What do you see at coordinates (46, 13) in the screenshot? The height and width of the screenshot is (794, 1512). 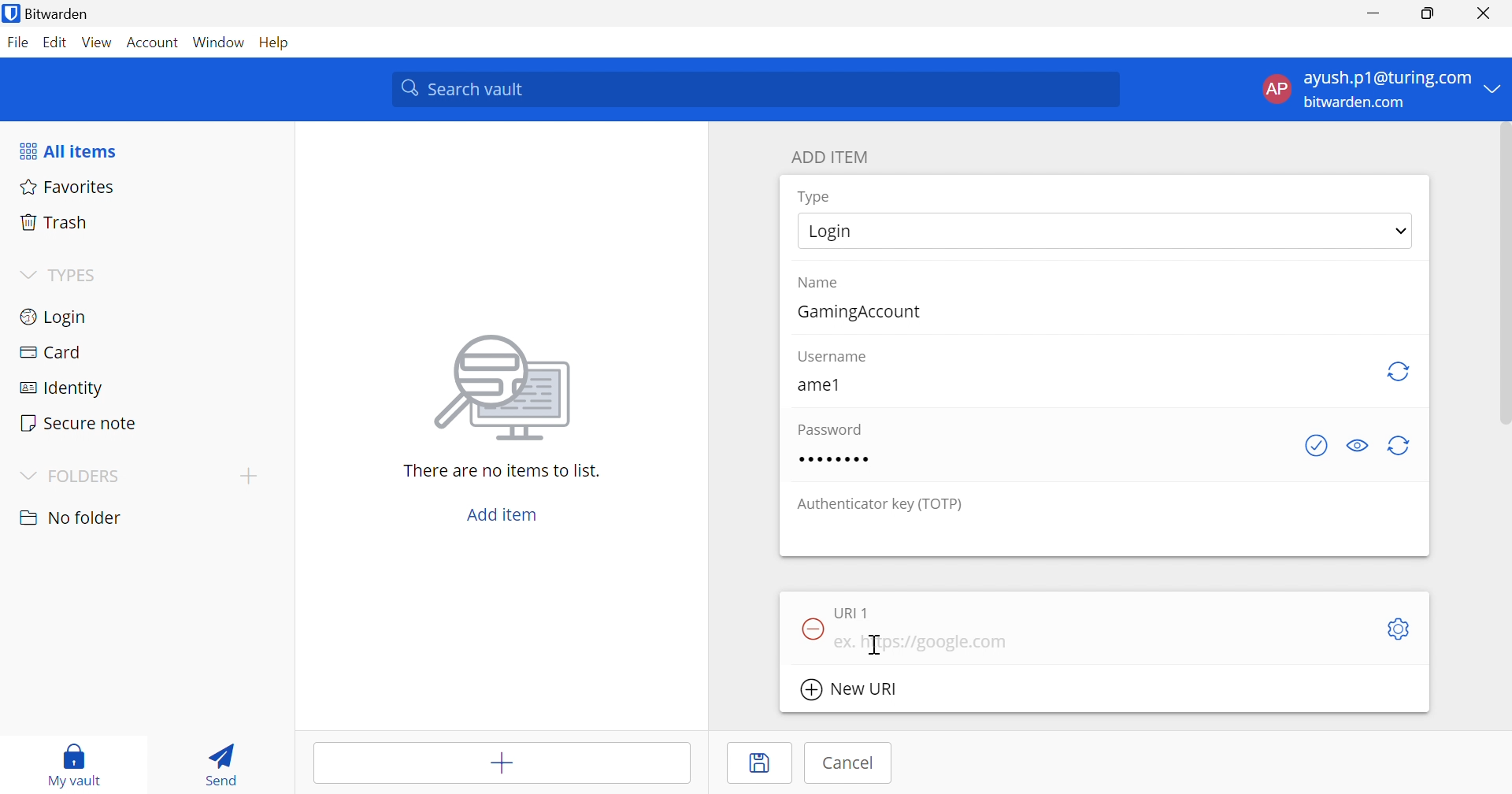 I see `Bitwarden` at bounding box center [46, 13].